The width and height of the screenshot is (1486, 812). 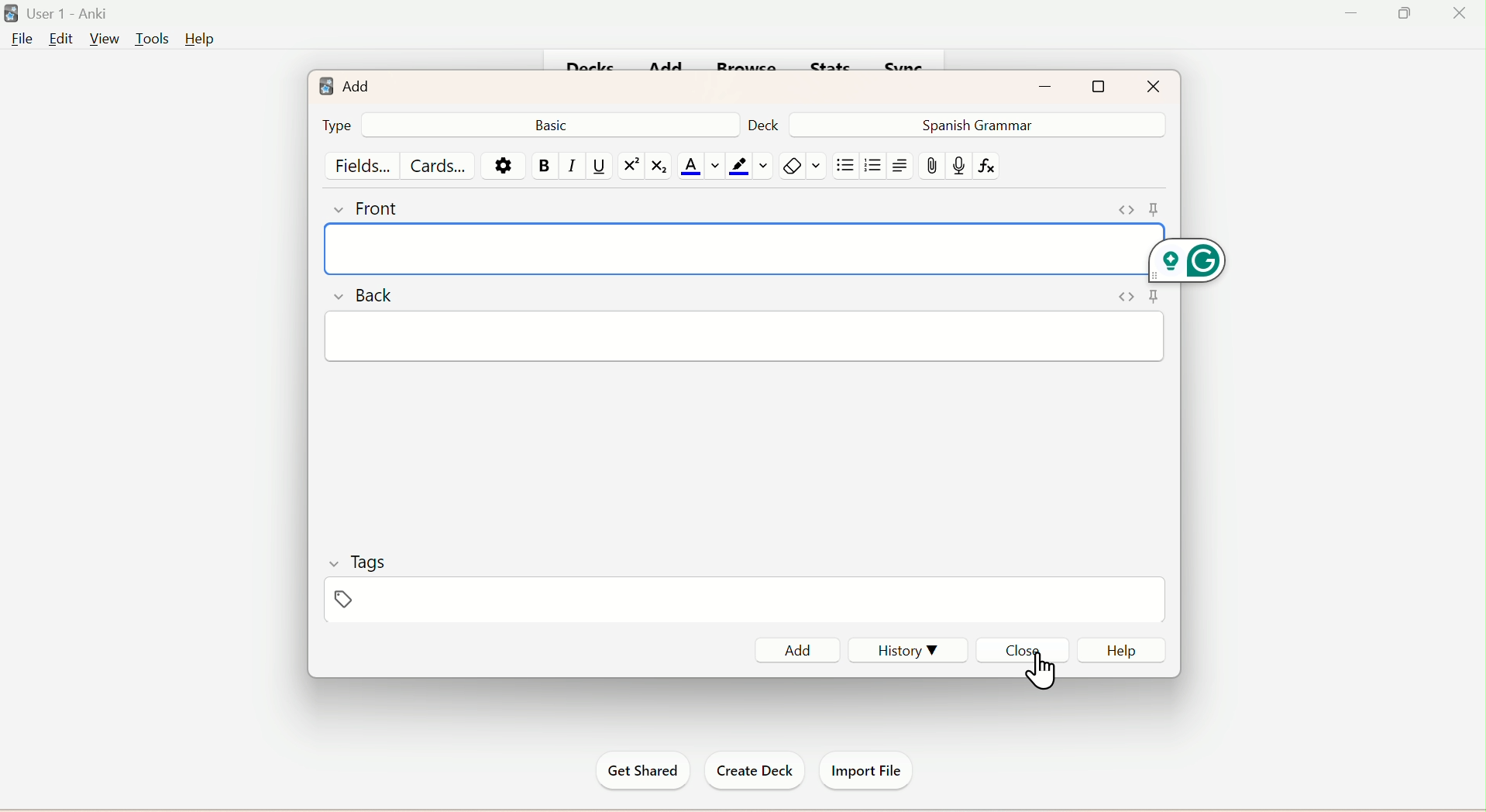 I want to click on Minimize, so click(x=1354, y=13).